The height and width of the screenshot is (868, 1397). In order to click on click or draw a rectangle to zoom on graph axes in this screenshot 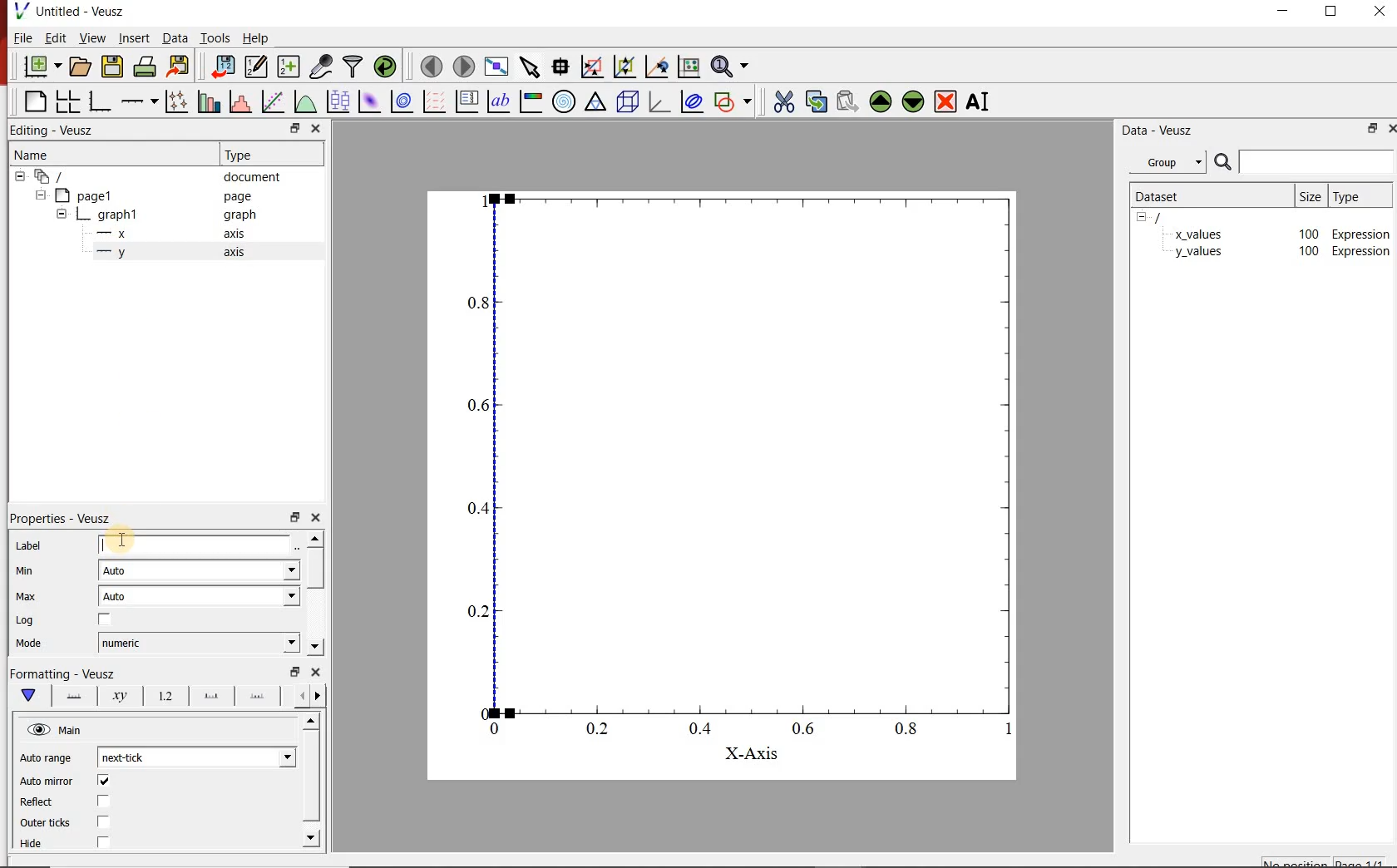, I will do `click(592, 67)`.